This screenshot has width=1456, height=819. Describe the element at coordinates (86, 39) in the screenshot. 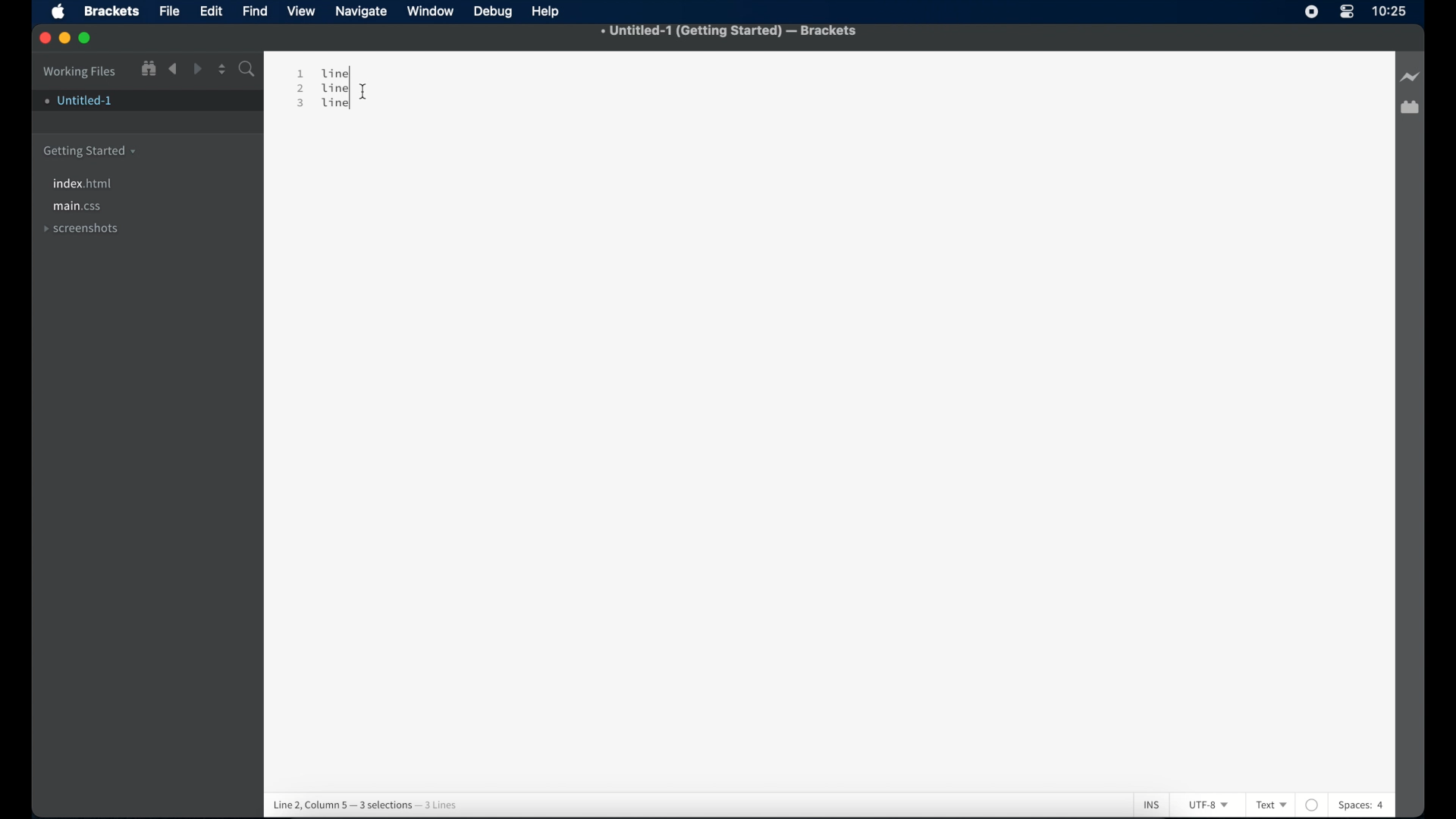

I see `maximize` at that location.